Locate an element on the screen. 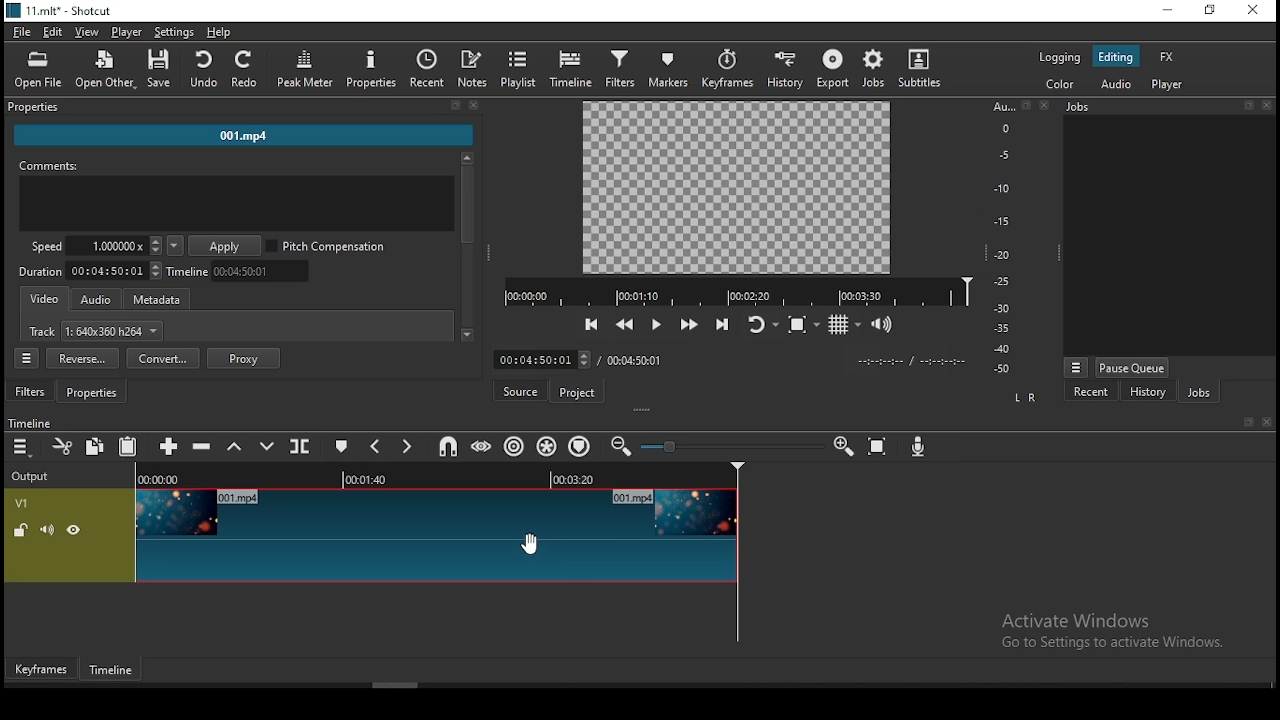 The height and width of the screenshot is (720, 1280). convert is located at coordinates (162, 357).